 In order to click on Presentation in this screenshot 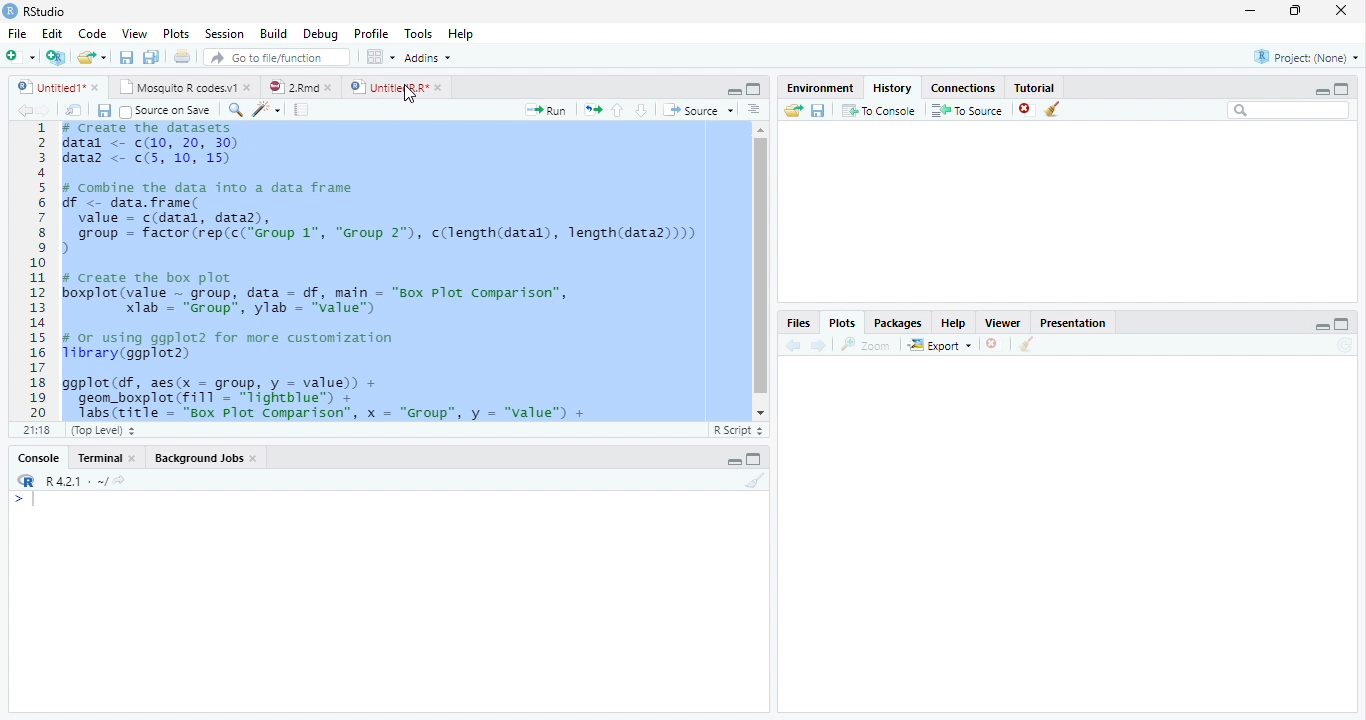, I will do `click(1072, 323)`.